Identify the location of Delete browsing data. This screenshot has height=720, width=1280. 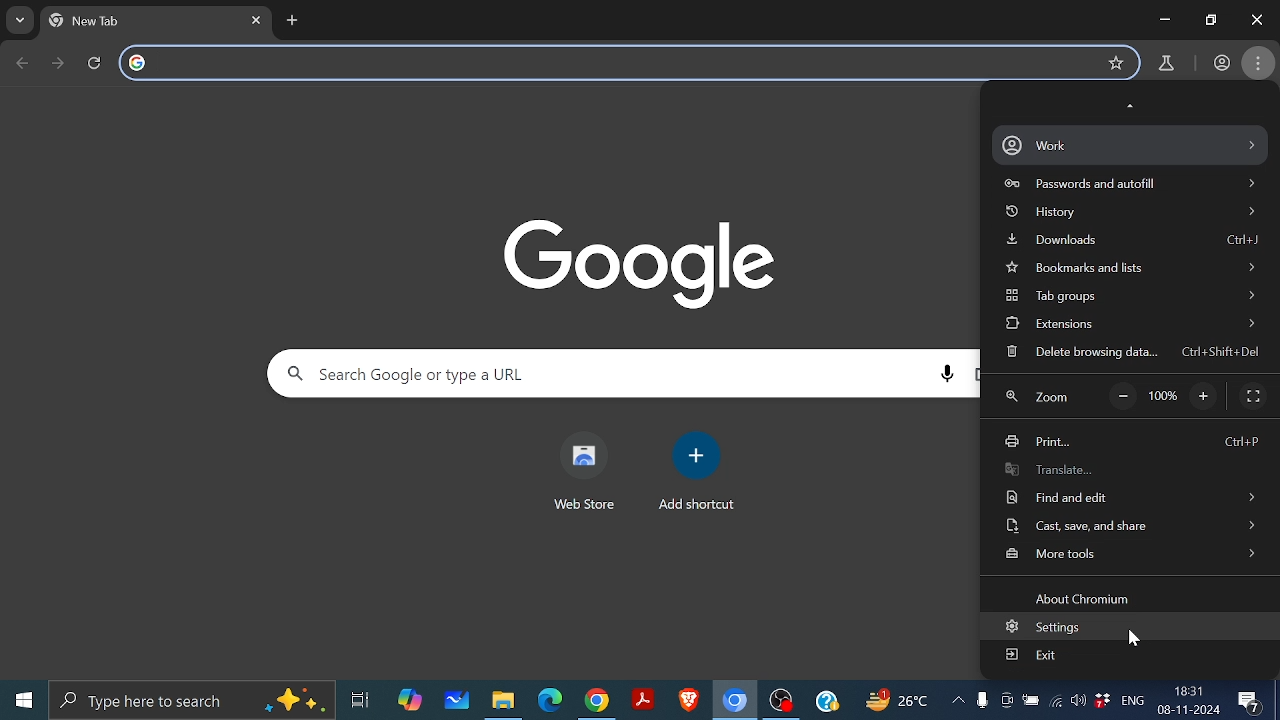
(1125, 353).